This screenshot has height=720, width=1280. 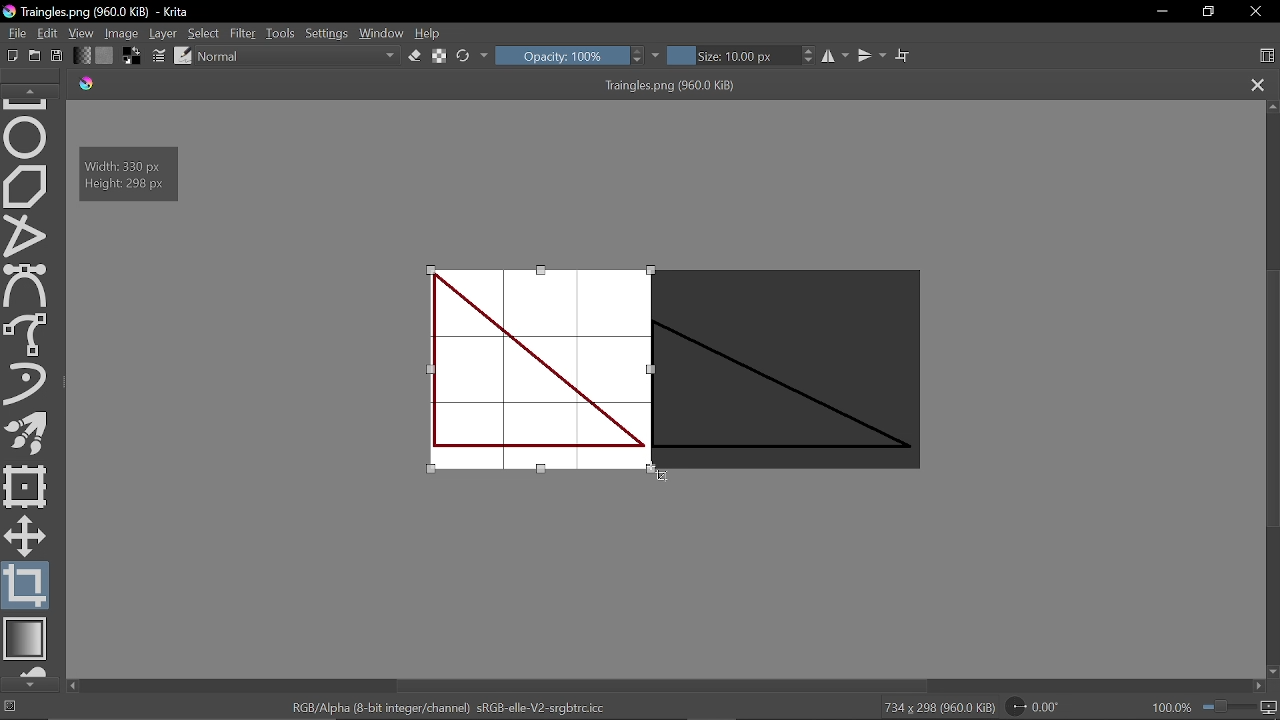 I want to click on Select, so click(x=205, y=34).